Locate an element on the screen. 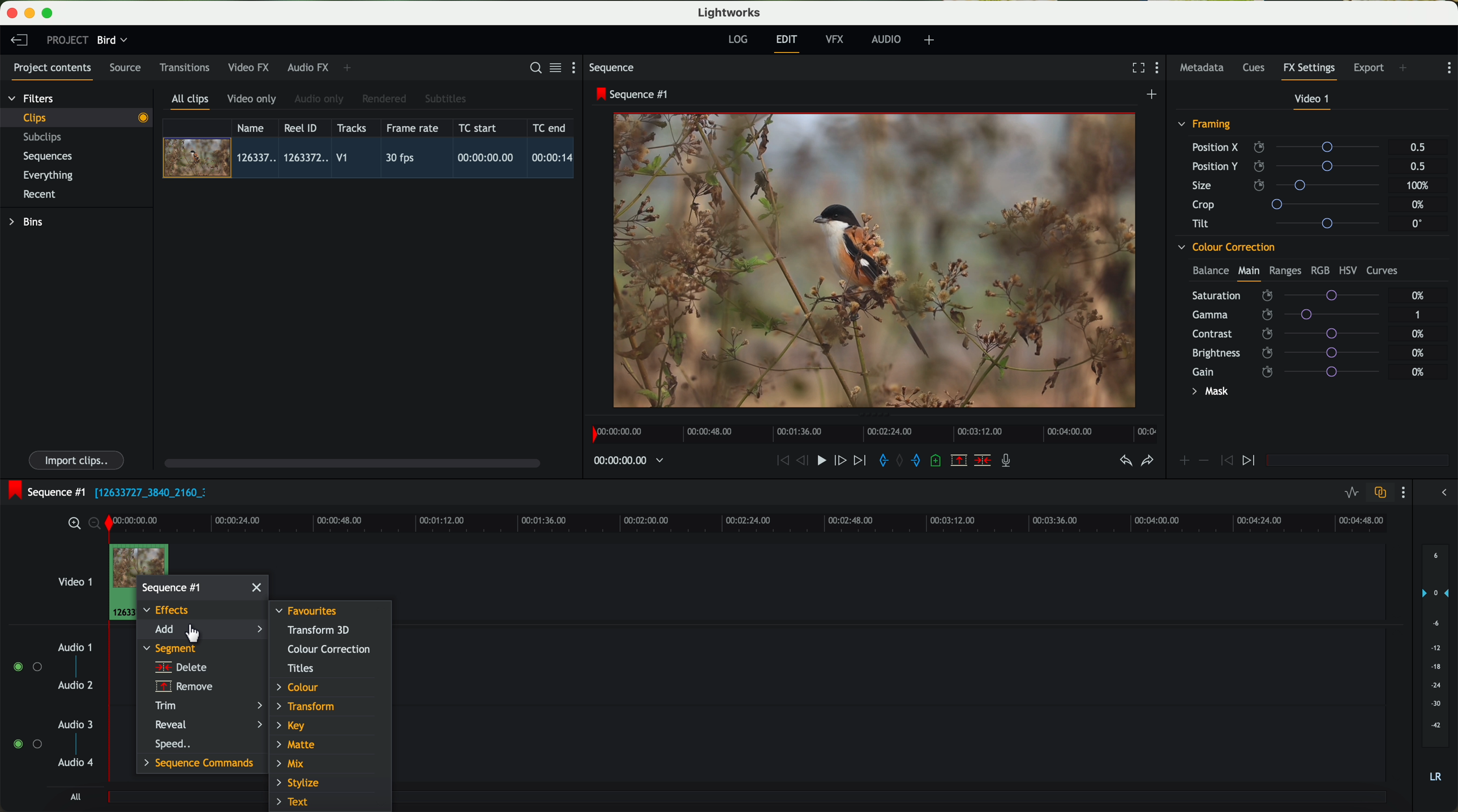 This screenshot has height=812, width=1458. redo is located at coordinates (1147, 462).